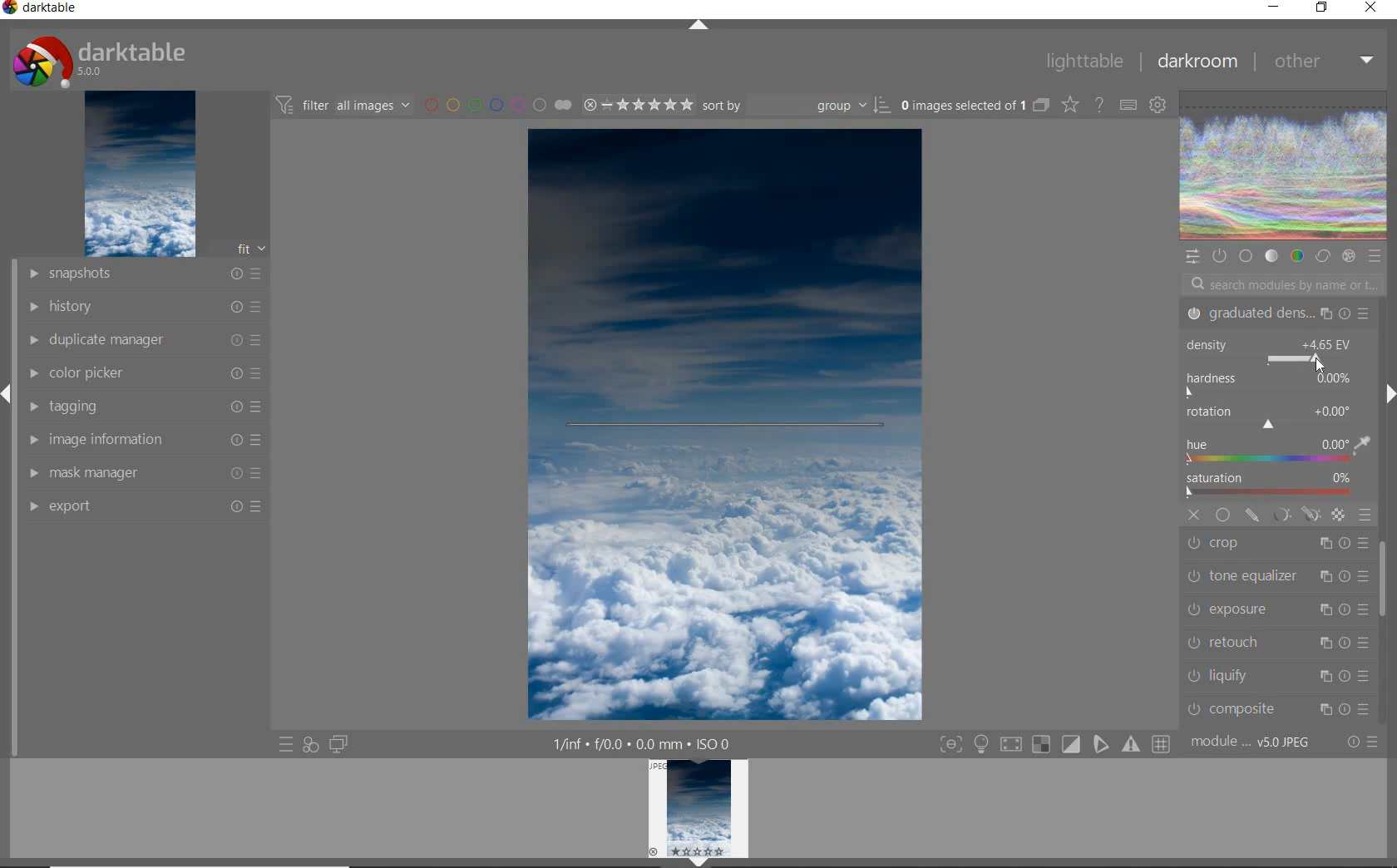 The height and width of the screenshot is (868, 1397). What do you see at coordinates (1276, 609) in the screenshot?
I see `exposure` at bounding box center [1276, 609].